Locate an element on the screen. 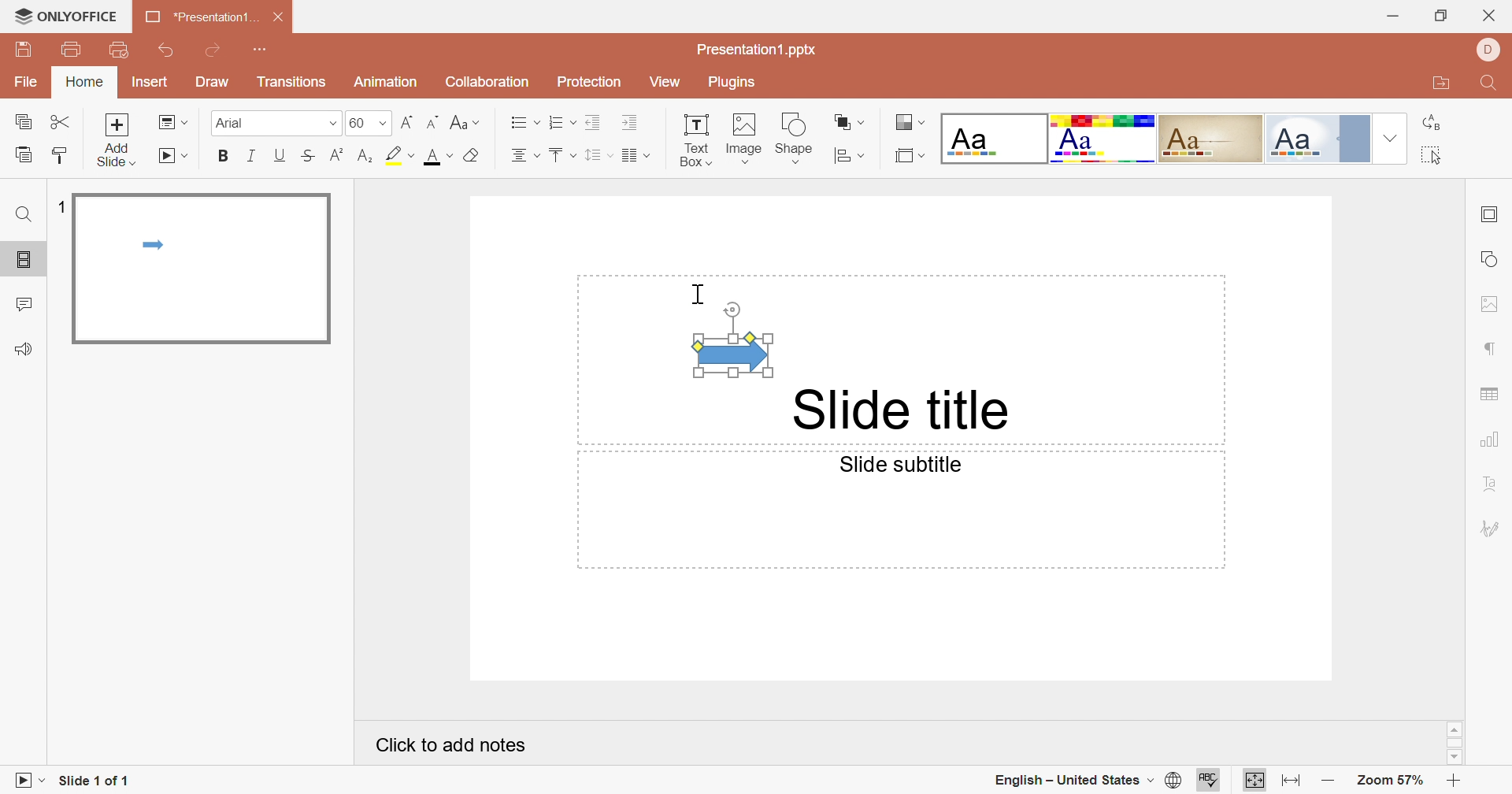 This screenshot has width=1512, height=794. Signature settings is located at coordinates (1492, 525).